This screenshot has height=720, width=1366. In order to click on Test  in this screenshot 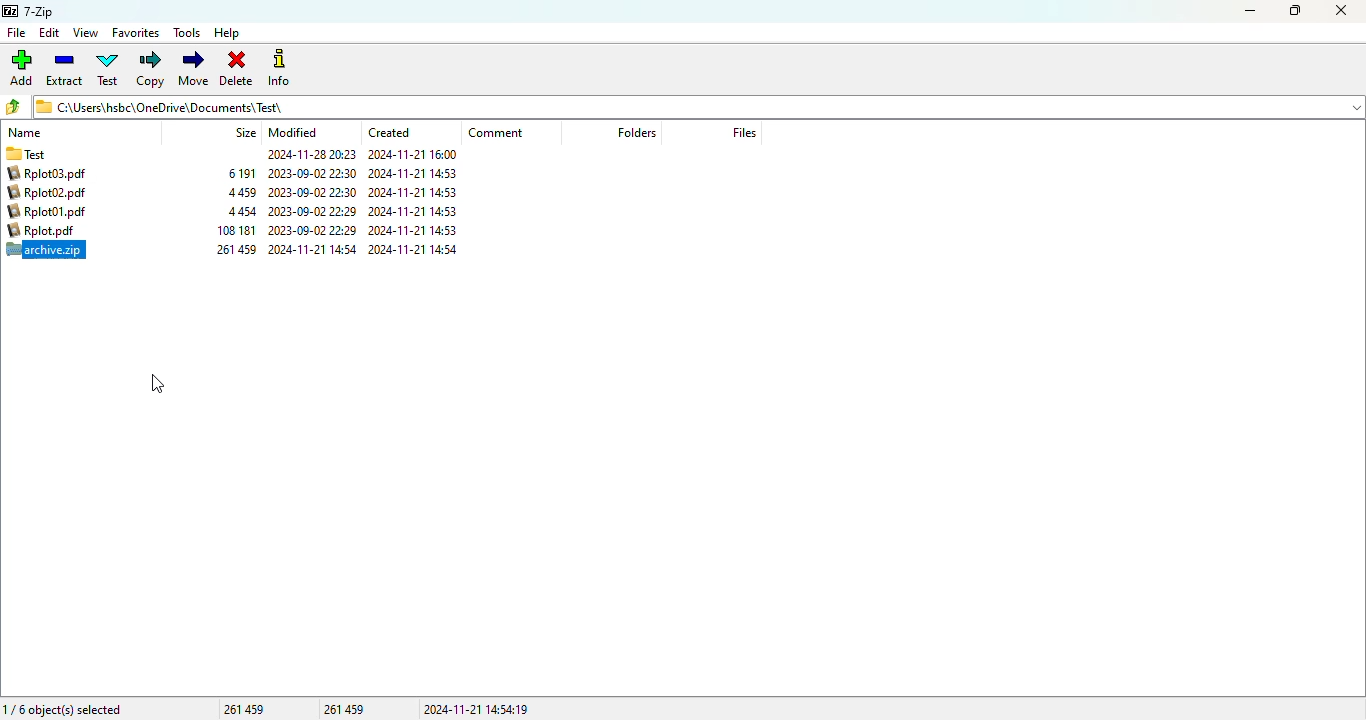, I will do `click(59, 154)`.